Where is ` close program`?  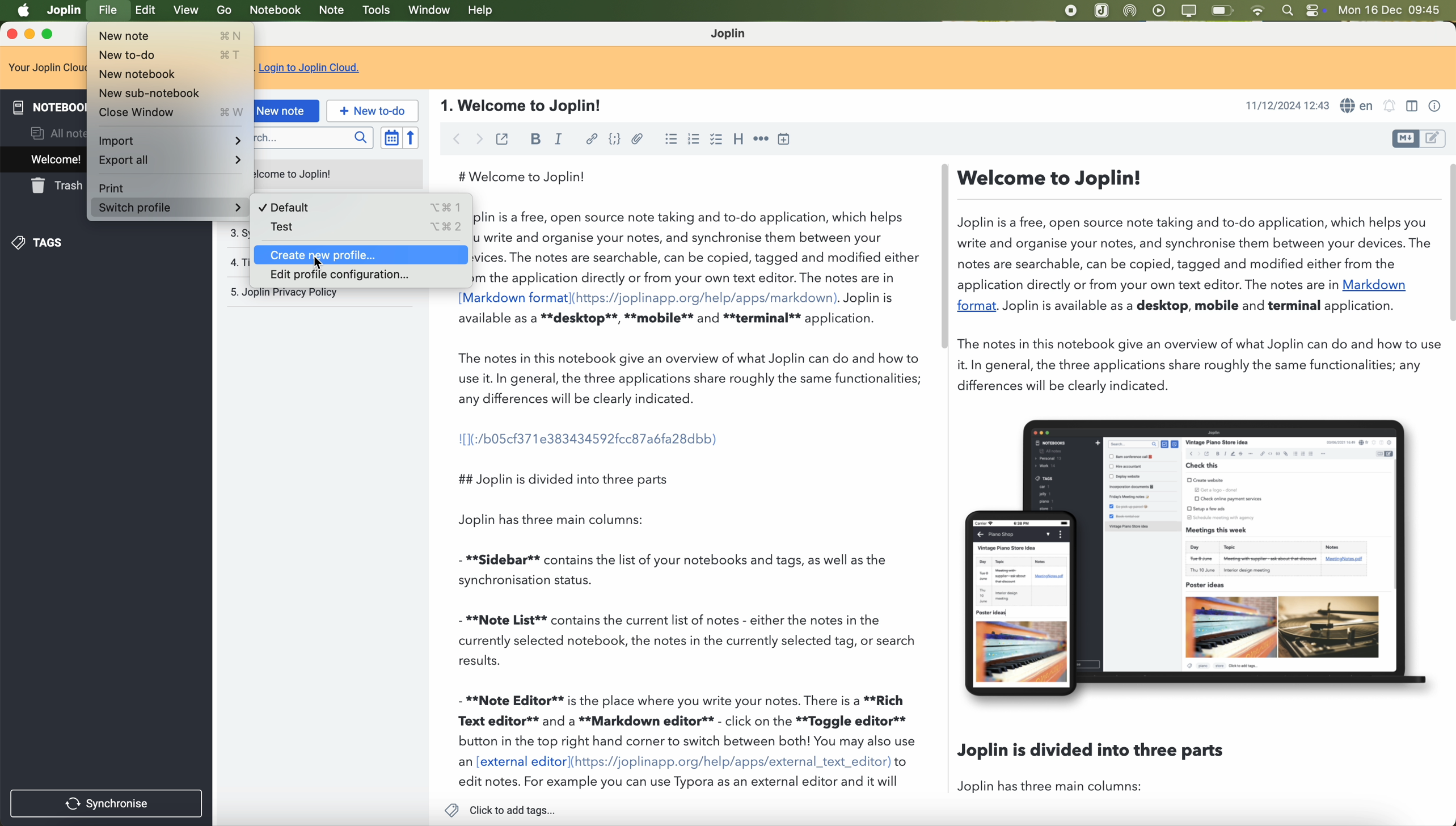  close program is located at coordinates (10, 34).